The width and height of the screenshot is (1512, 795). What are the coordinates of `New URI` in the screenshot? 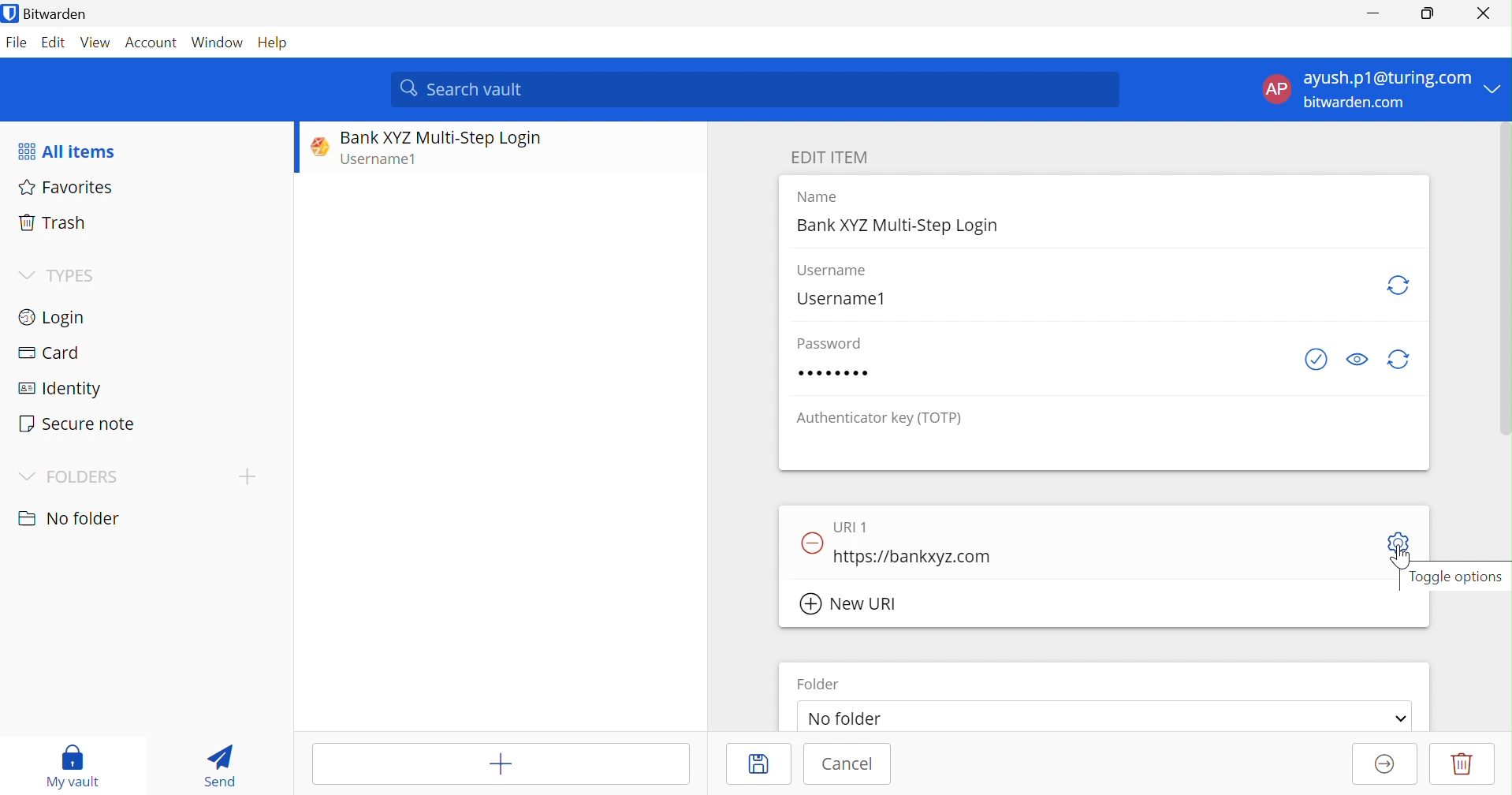 It's located at (848, 603).